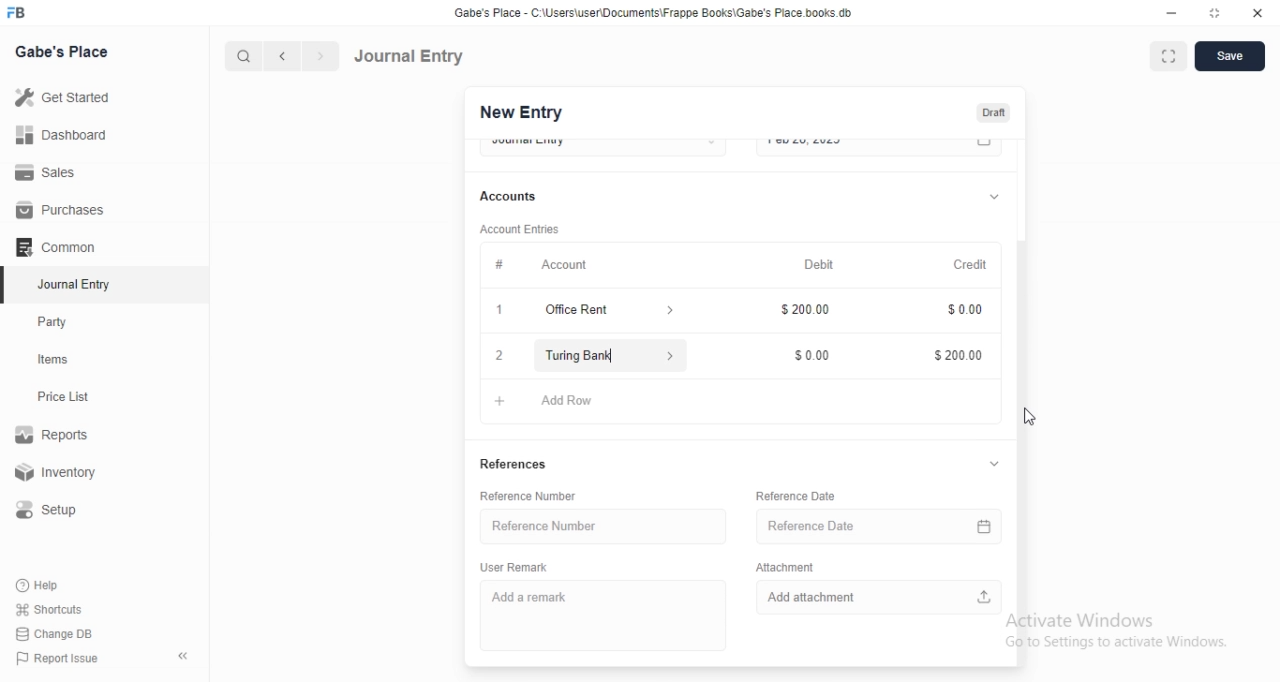 This screenshot has height=682, width=1280. Describe the element at coordinates (241, 56) in the screenshot. I see `search` at that location.